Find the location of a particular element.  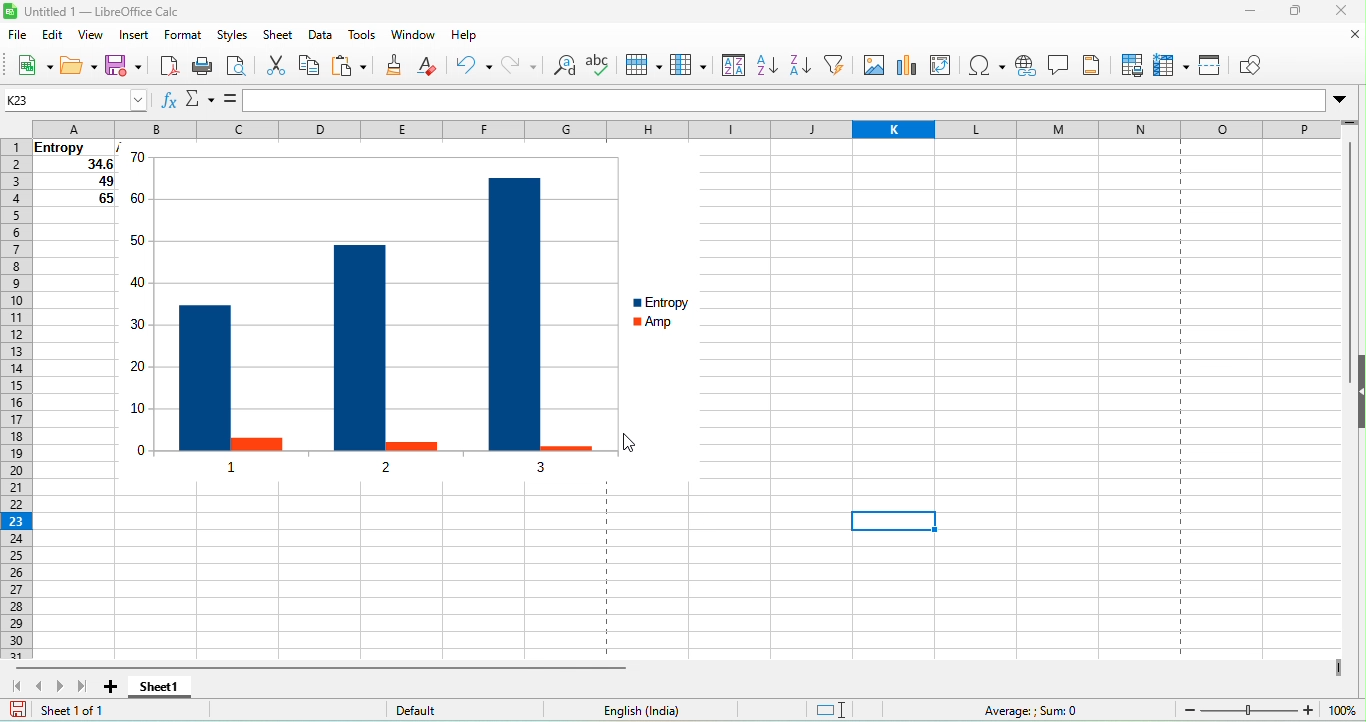

drag to view columns is located at coordinates (1335, 666).